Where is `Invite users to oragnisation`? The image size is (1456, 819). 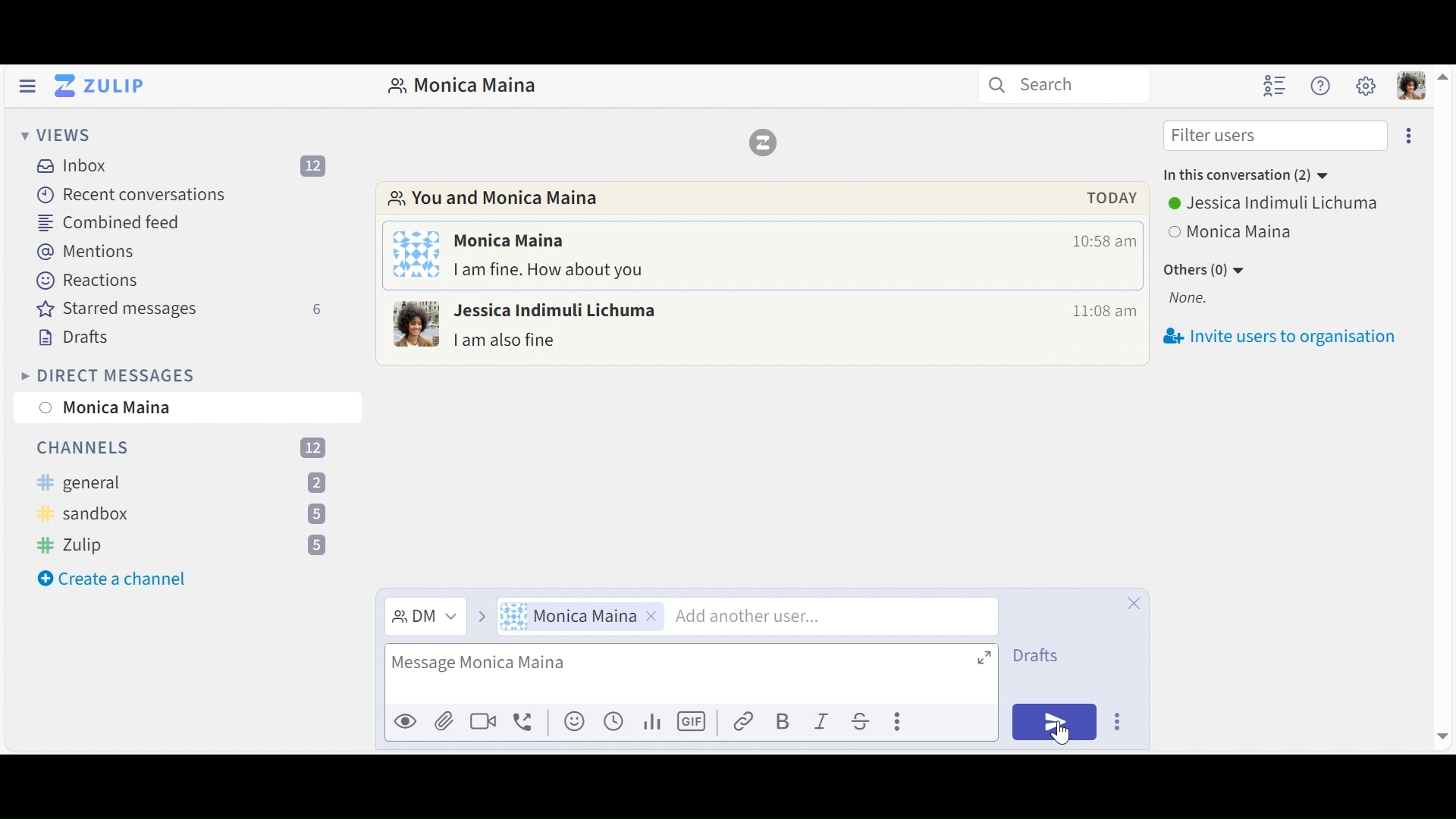 Invite users to oragnisation is located at coordinates (1282, 268).